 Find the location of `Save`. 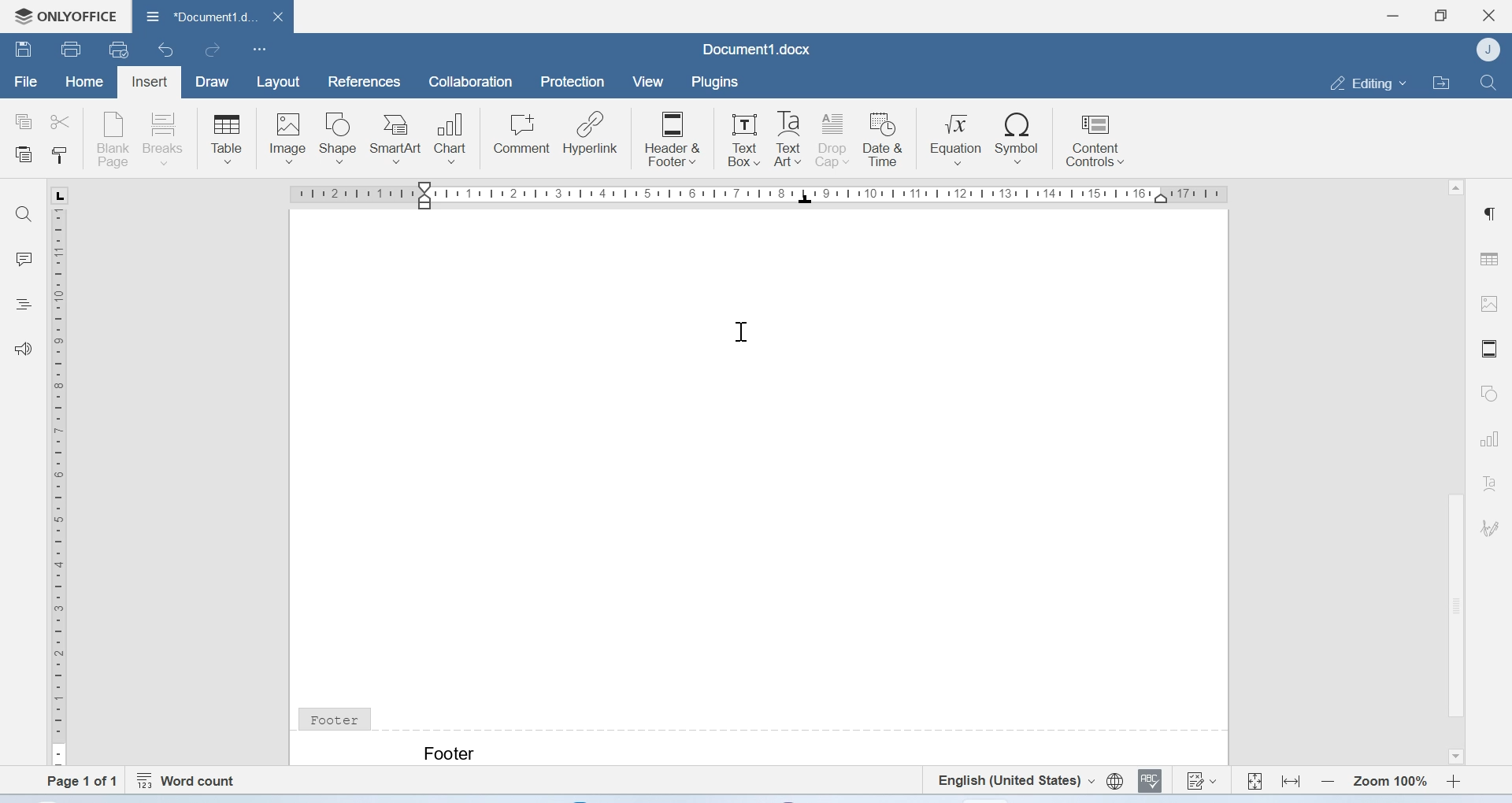

Save is located at coordinates (24, 51).